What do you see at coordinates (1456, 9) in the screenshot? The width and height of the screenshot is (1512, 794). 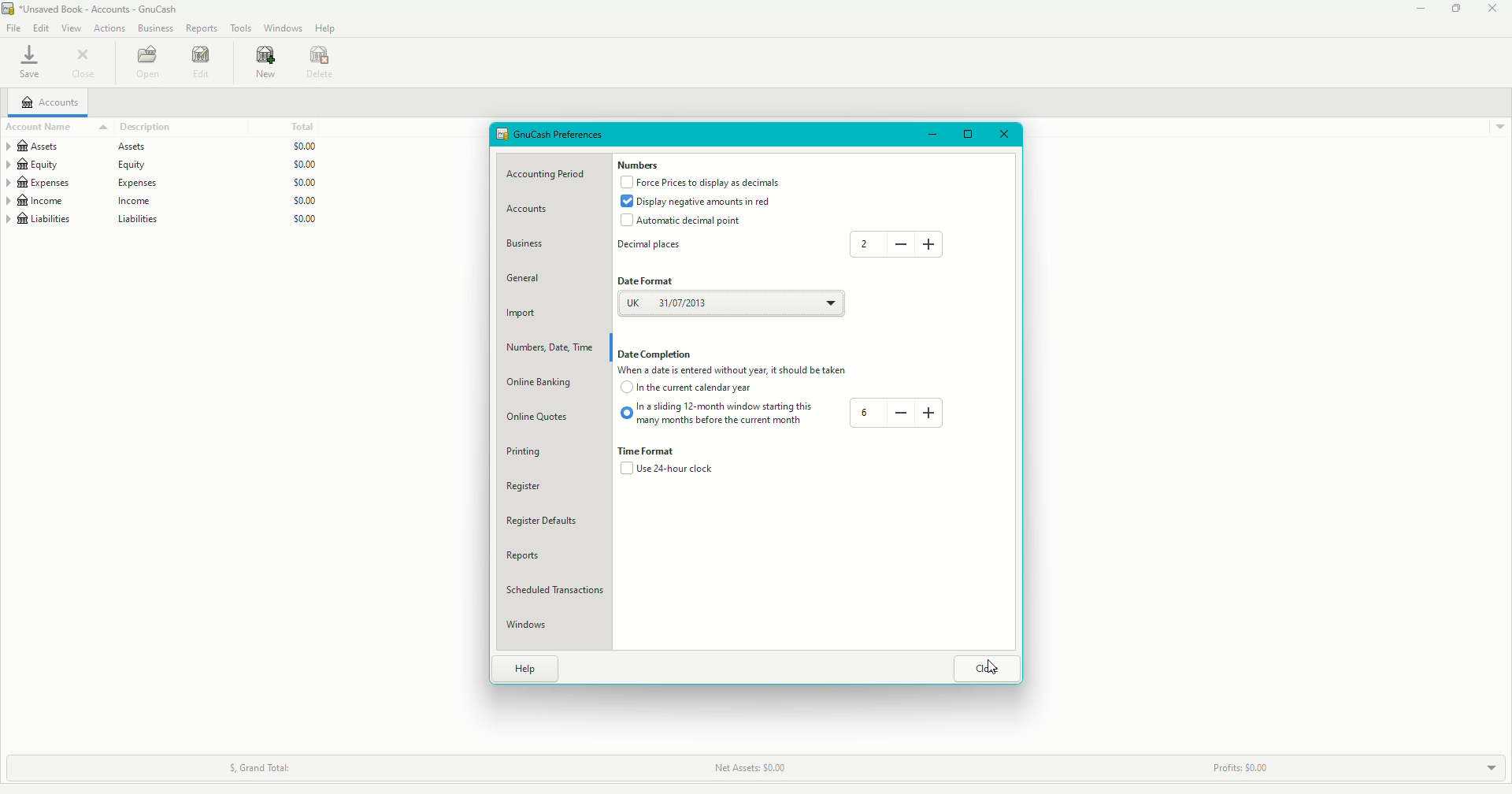 I see `Restore` at bounding box center [1456, 9].